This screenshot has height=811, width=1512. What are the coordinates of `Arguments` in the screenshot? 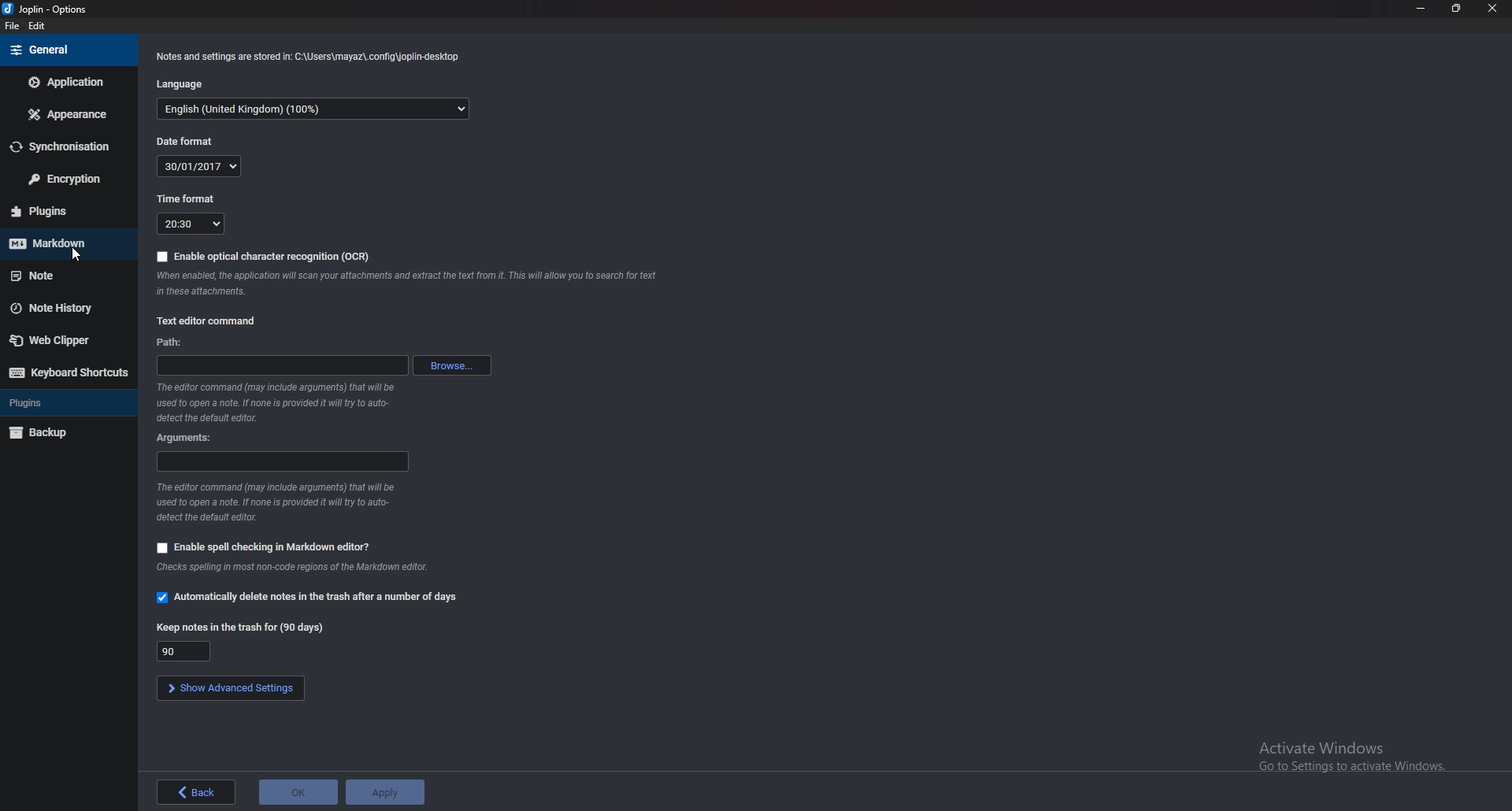 It's located at (280, 461).